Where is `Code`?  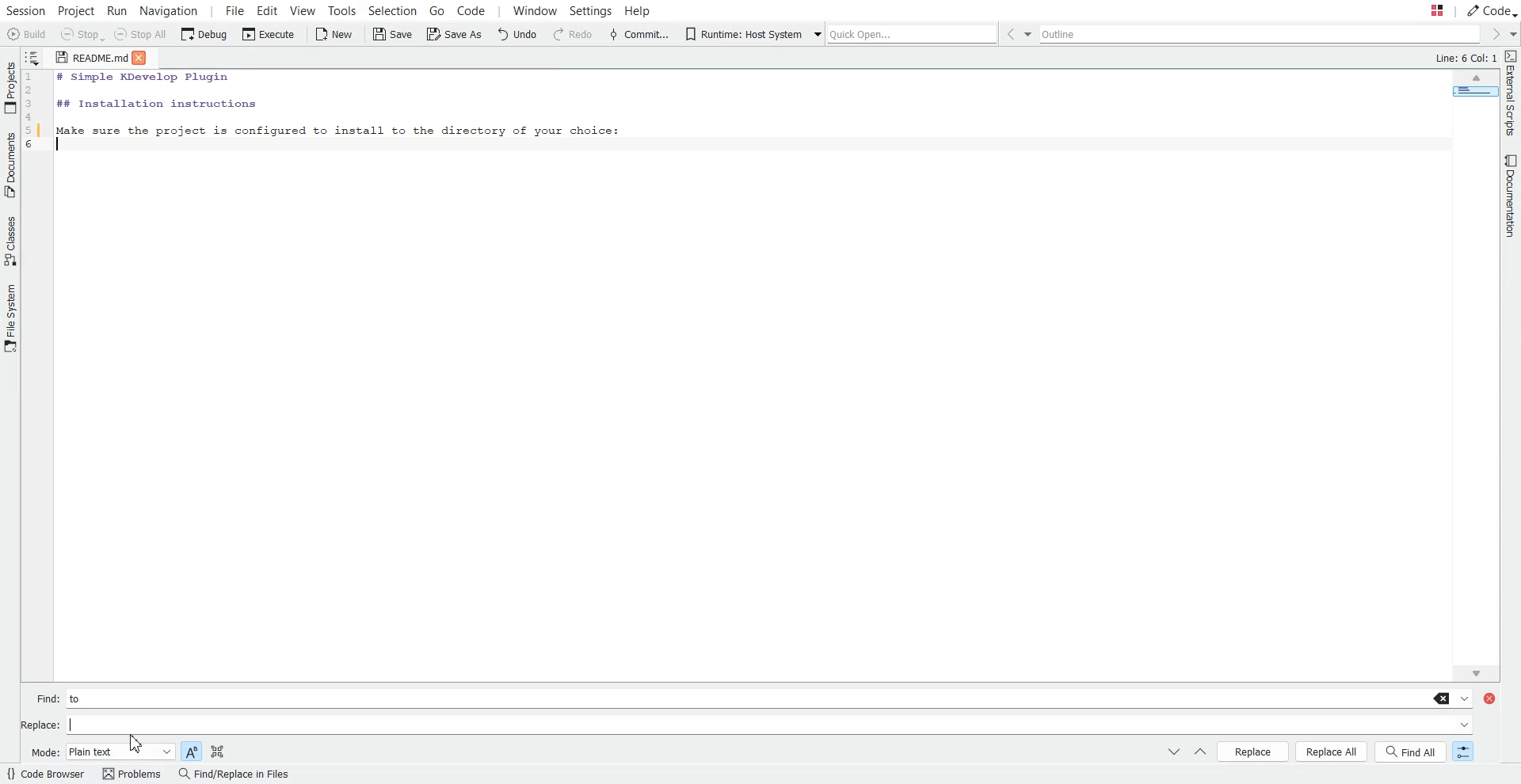 Code is located at coordinates (480, 11).